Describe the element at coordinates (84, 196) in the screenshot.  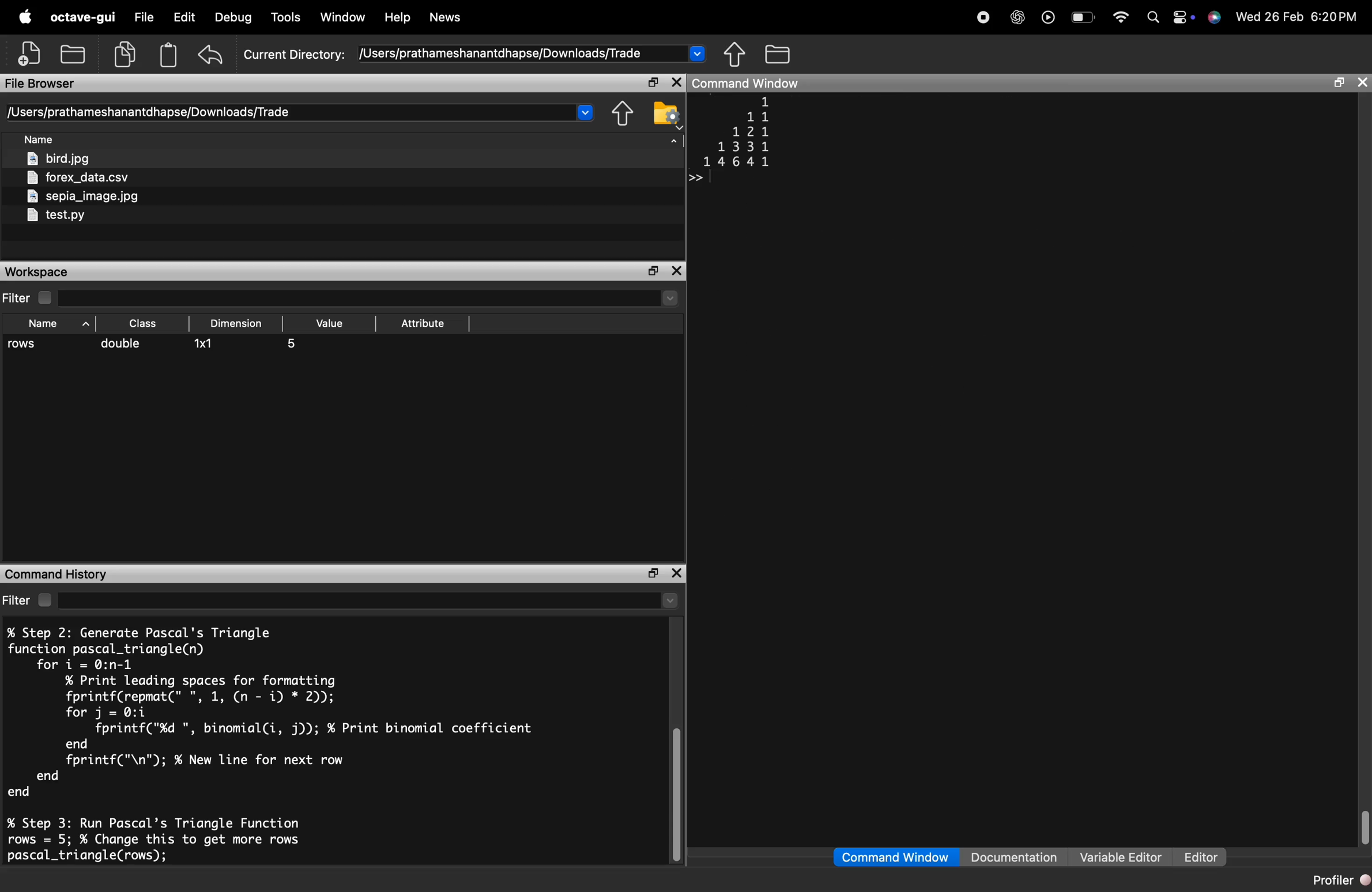
I see `sepia_image.jpg` at that location.